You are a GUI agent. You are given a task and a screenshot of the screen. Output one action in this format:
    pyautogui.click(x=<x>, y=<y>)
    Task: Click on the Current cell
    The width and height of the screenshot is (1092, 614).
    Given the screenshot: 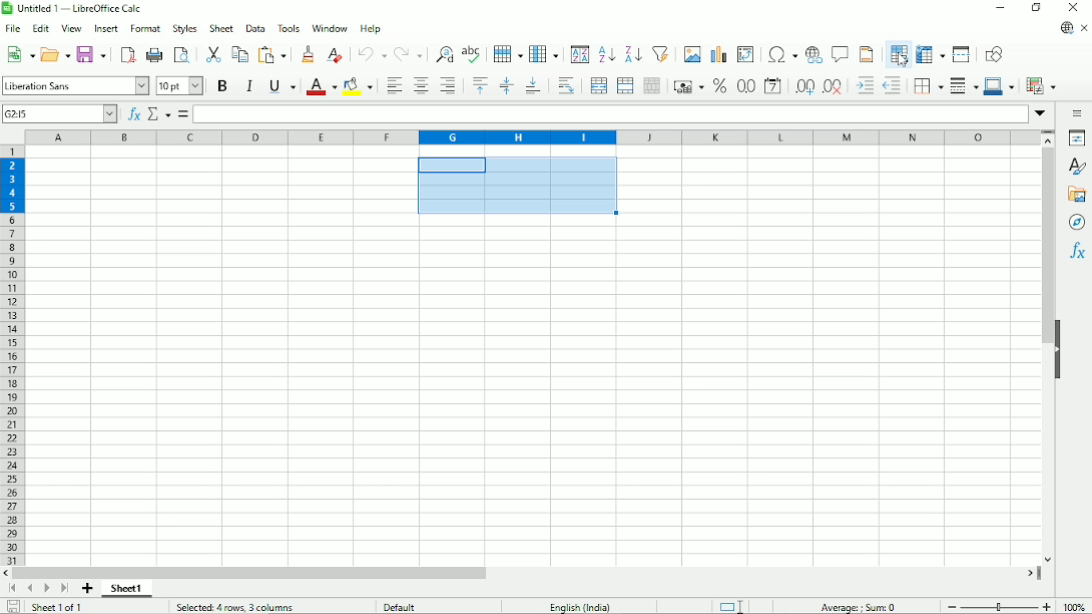 What is the action you would take?
    pyautogui.click(x=59, y=113)
    